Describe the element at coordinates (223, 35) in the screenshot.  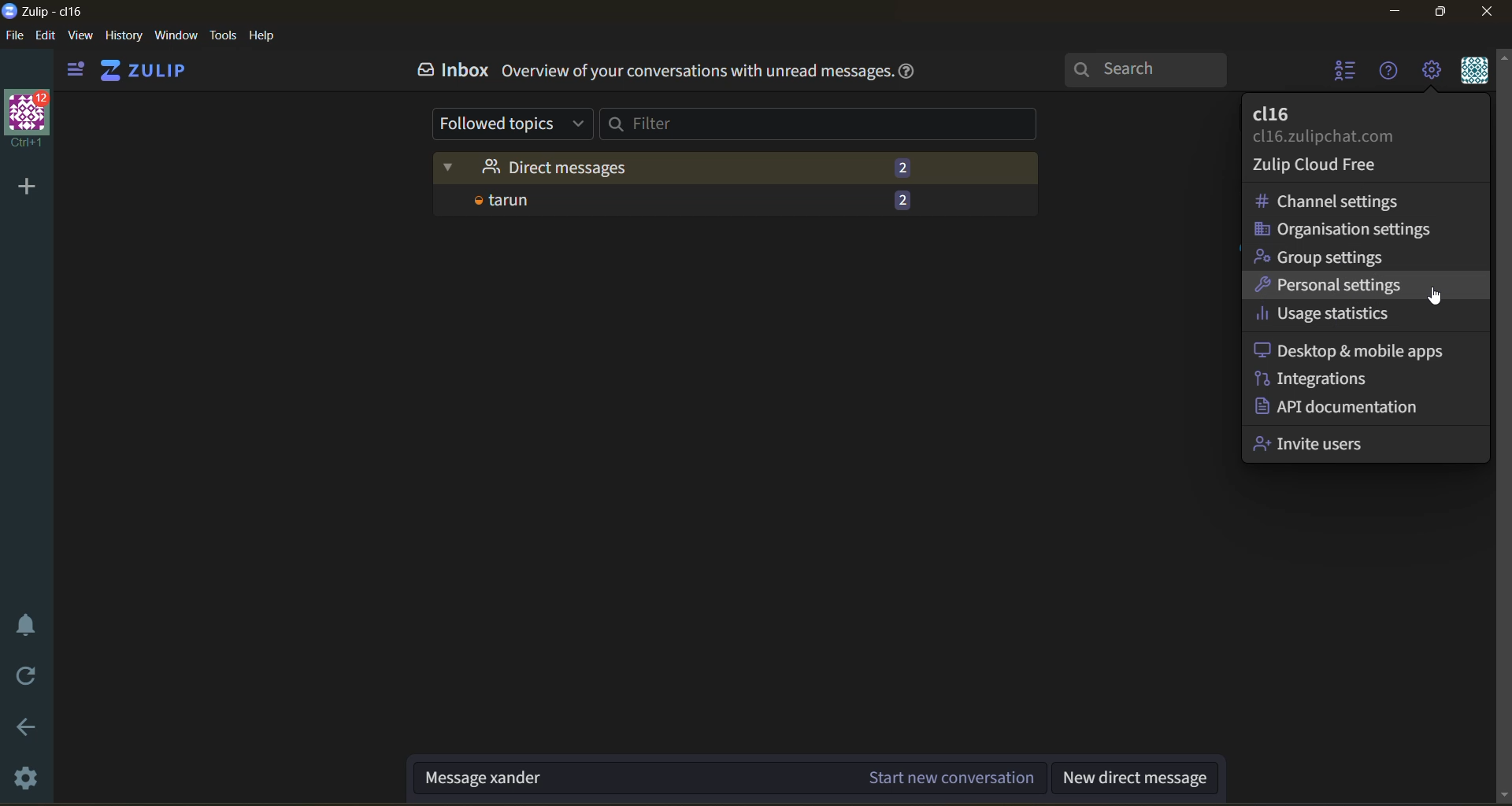
I see `tools` at that location.